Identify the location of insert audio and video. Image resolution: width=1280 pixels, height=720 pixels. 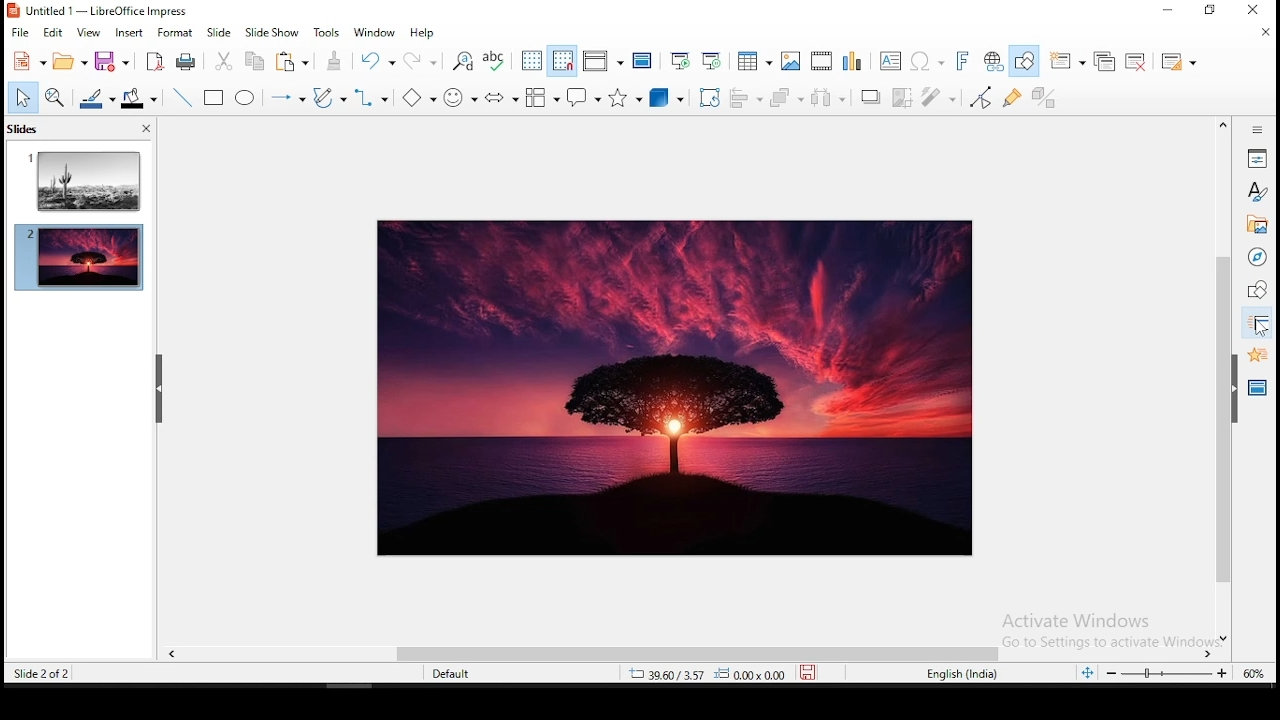
(822, 60).